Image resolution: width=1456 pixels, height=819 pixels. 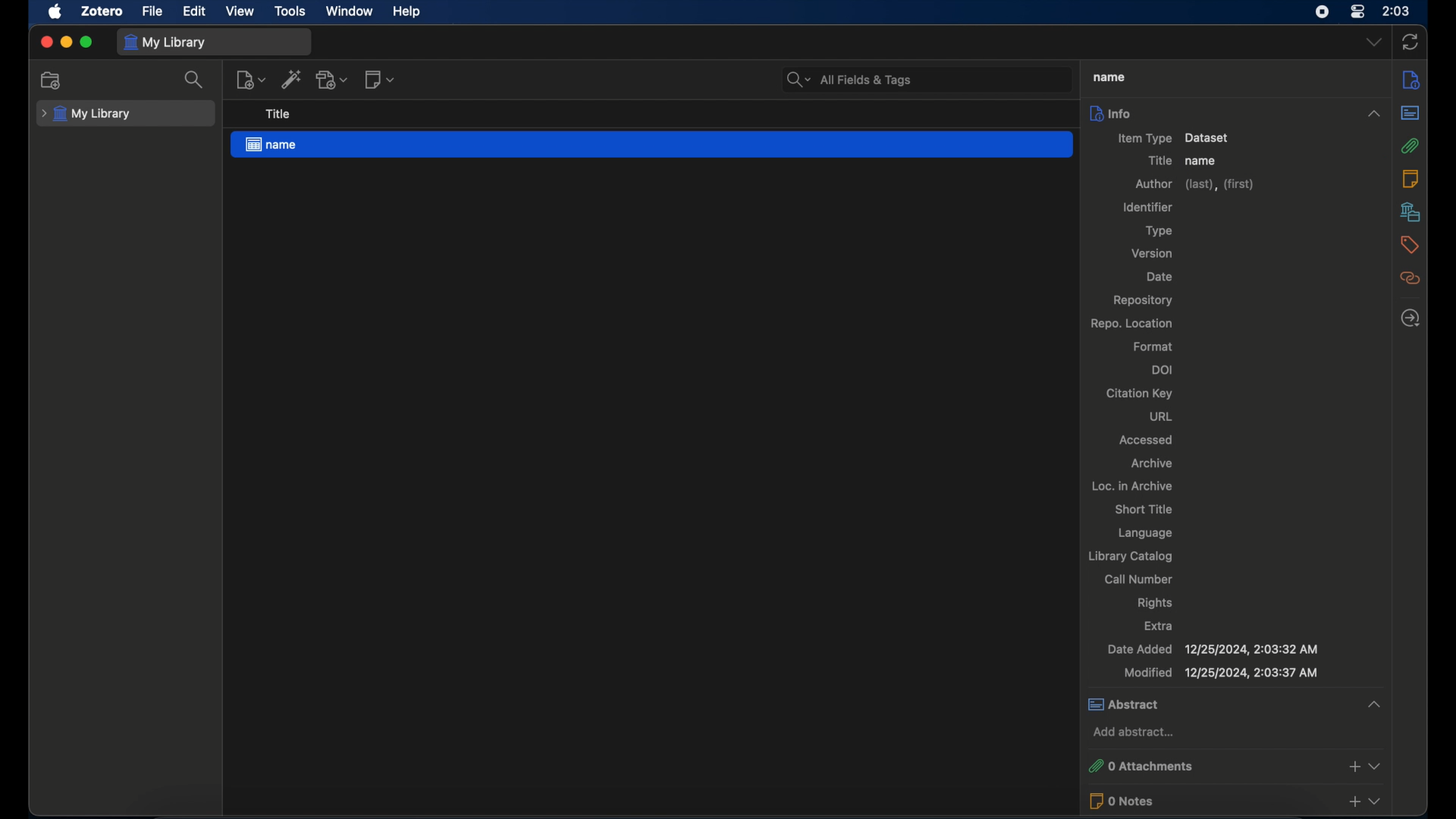 What do you see at coordinates (46, 42) in the screenshot?
I see `close` at bounding box center [46, 42].